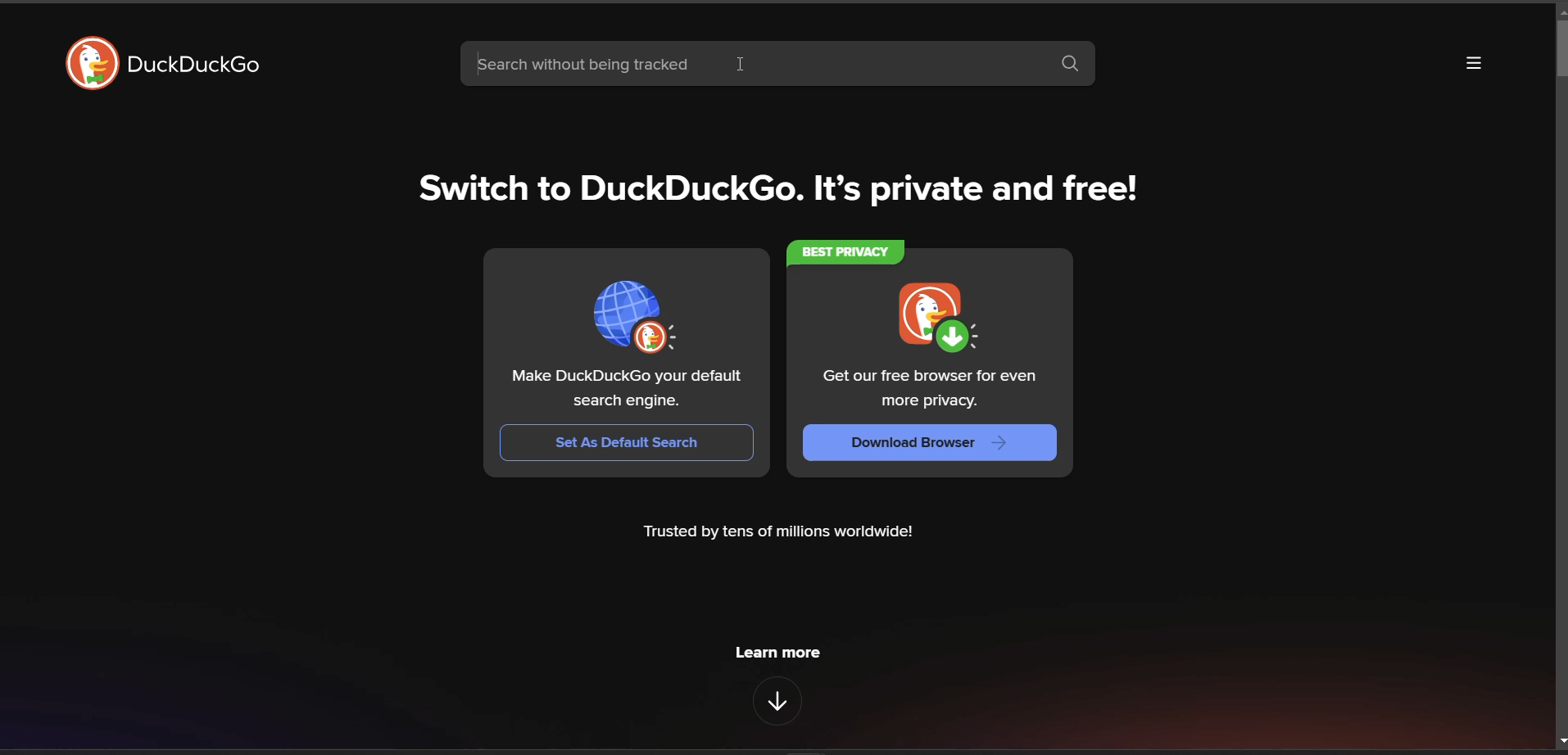 Image resolution: width=1568 pixels, height=755 pixels. I want to click on Switch to DuckDuckGo. It's private and free!, so click(791, 193).